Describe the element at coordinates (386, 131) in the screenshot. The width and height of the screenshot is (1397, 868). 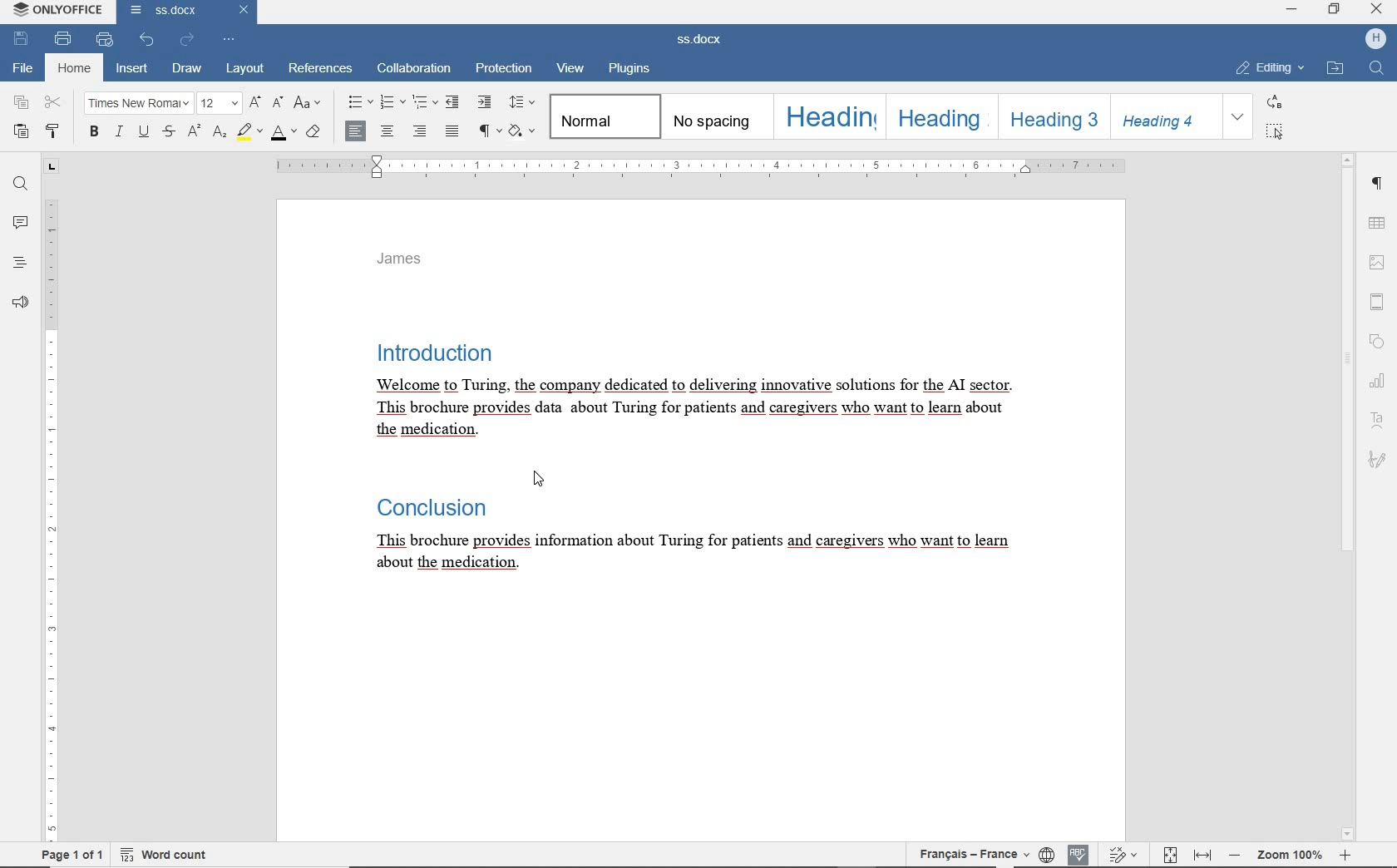
I see `ALIGN CENTER` at that location.